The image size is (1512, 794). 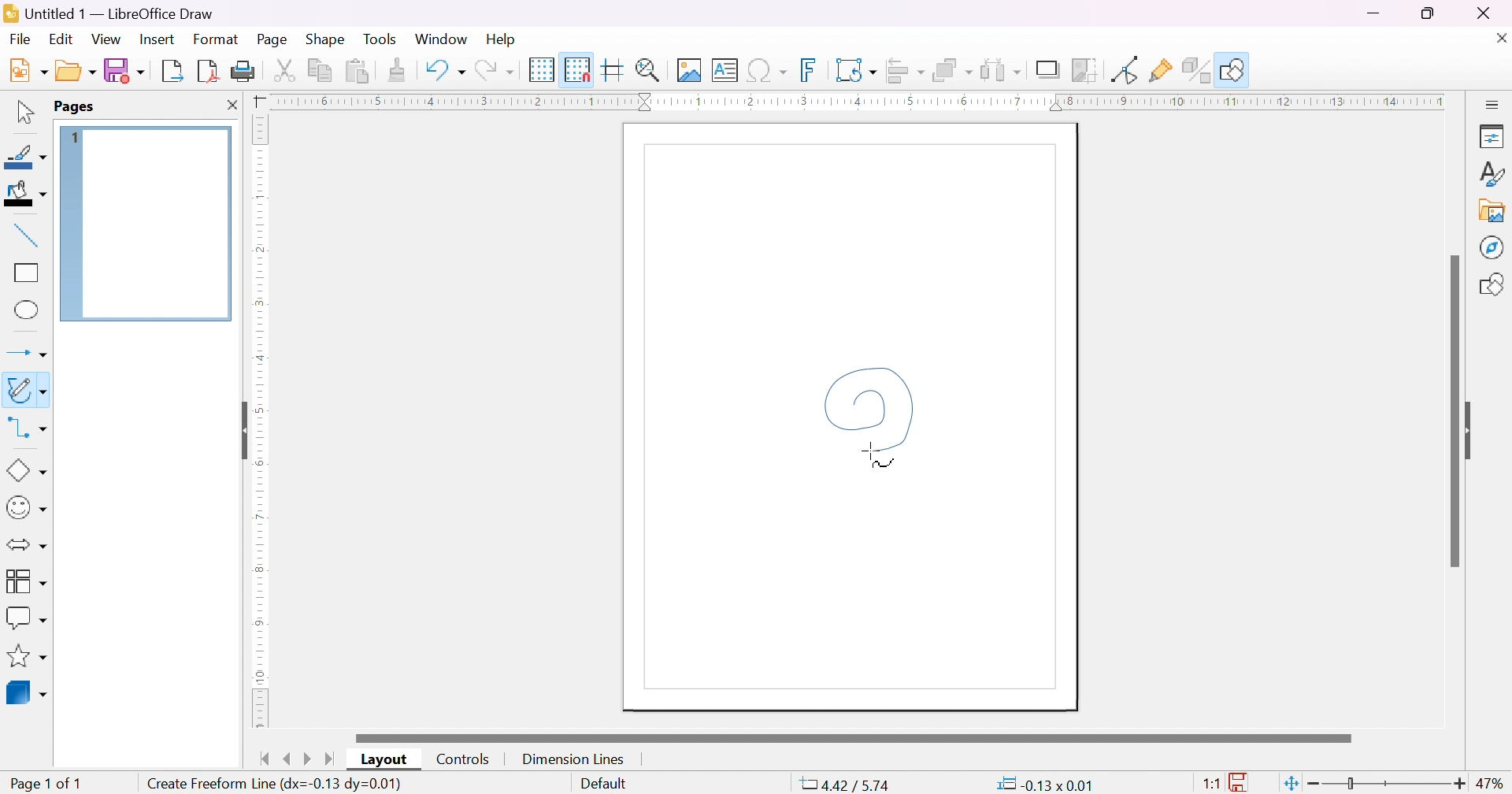 What do you see at coordinates (106, 39) in the screenshot?
I see `view` at bounding box center [106, 39].